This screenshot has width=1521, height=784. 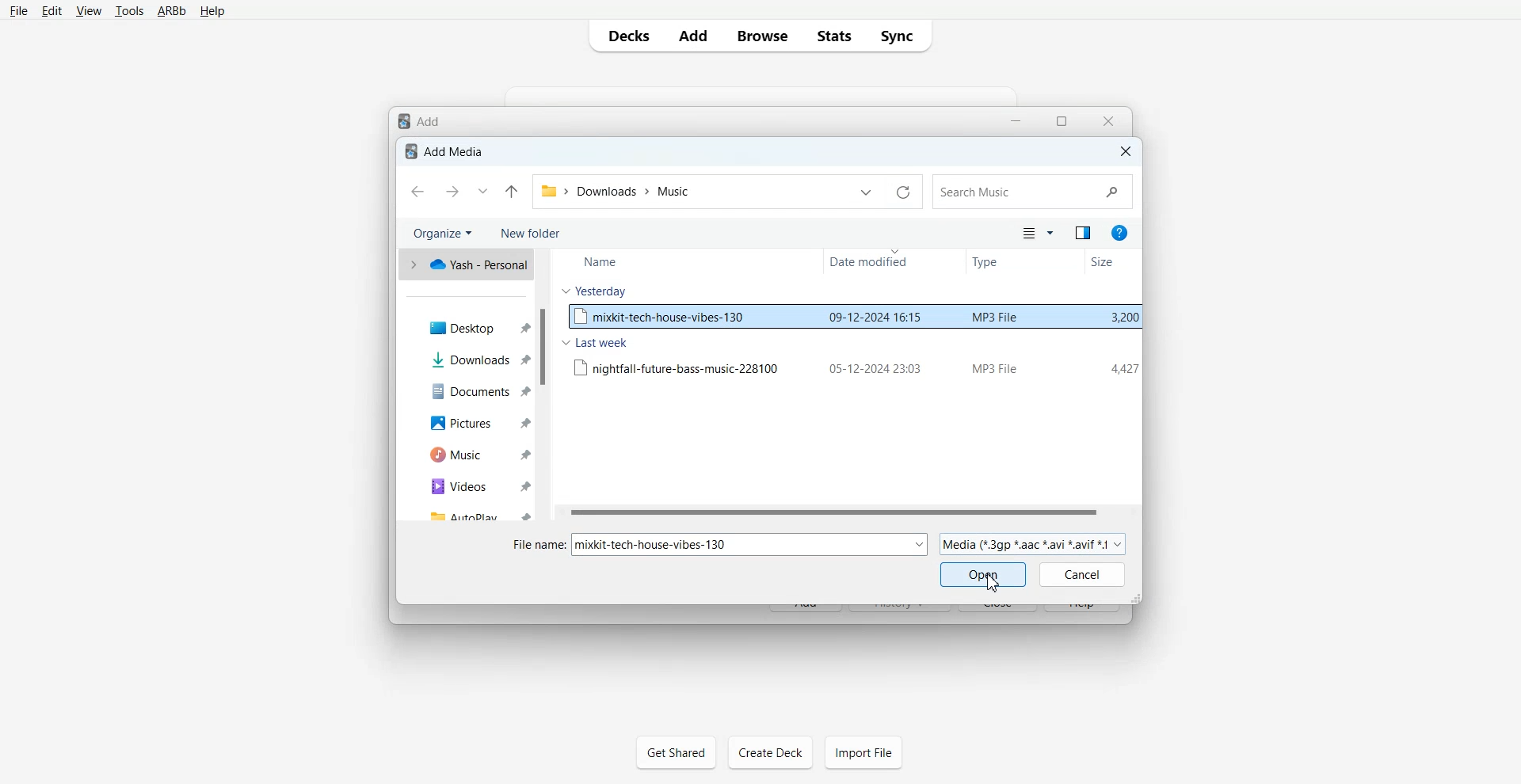 I want to click on Recent location, so click(x=482, y=191).